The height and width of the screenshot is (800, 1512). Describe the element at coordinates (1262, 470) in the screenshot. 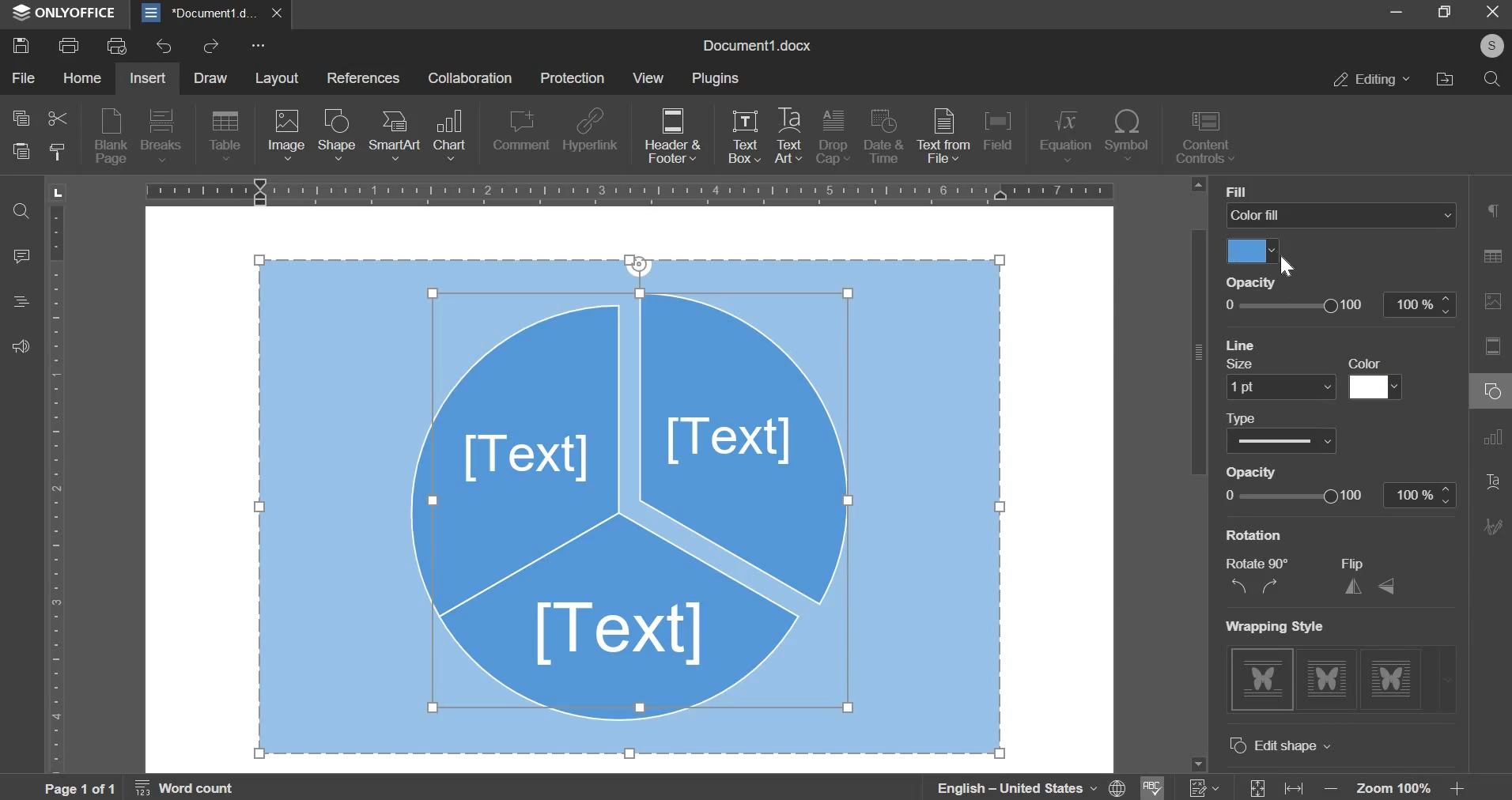

I see `` at that location.